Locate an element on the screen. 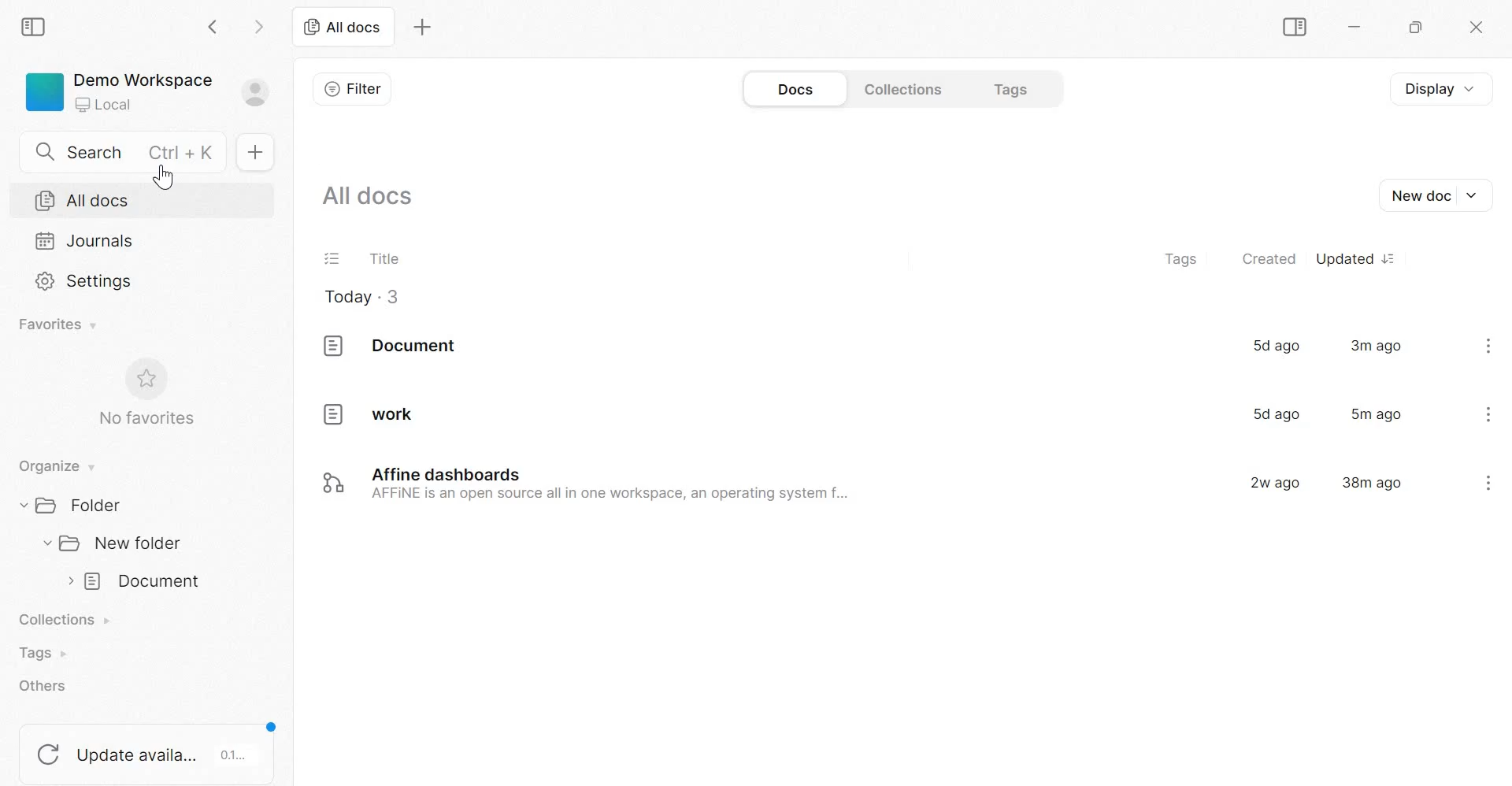 The height and width of the screenshot is (786, 1512). 38m ago is located at coordinates (1372, 481).